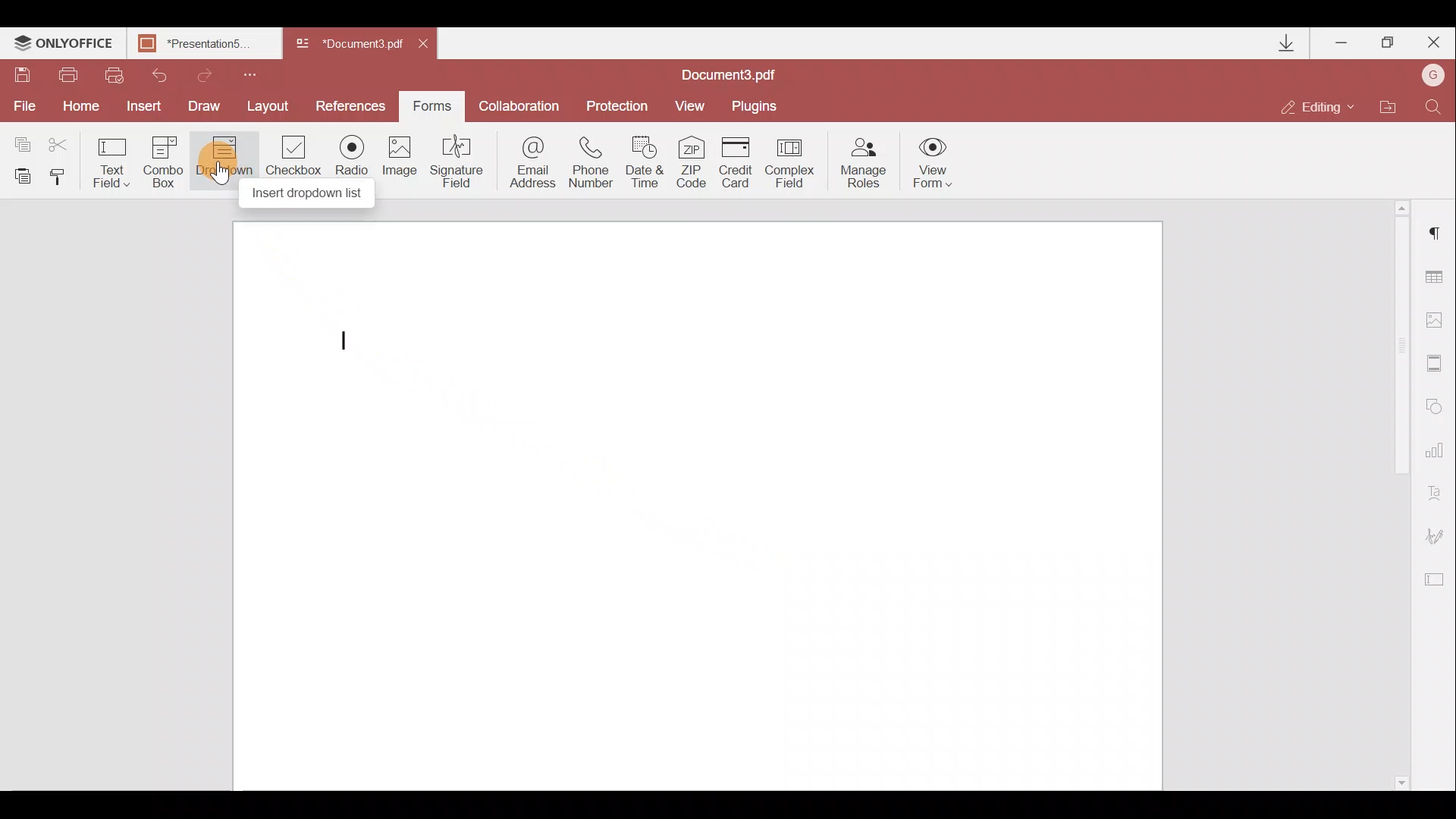  Describe the element at coordinates (931, 162) in the screenshot. I see `View form` at that location.